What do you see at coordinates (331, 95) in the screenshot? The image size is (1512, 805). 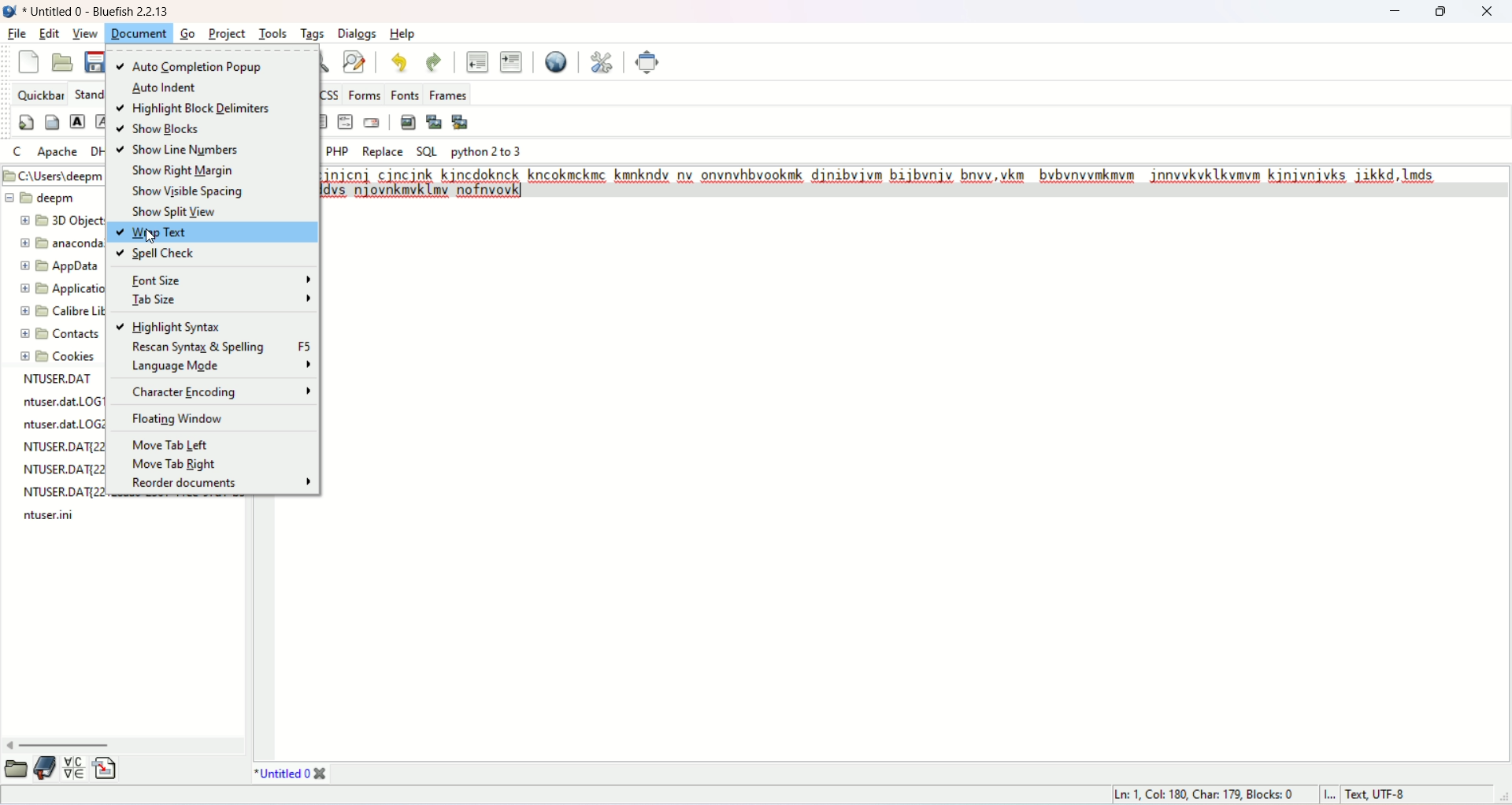 I see `CSS` at bounding box center [331, 95].